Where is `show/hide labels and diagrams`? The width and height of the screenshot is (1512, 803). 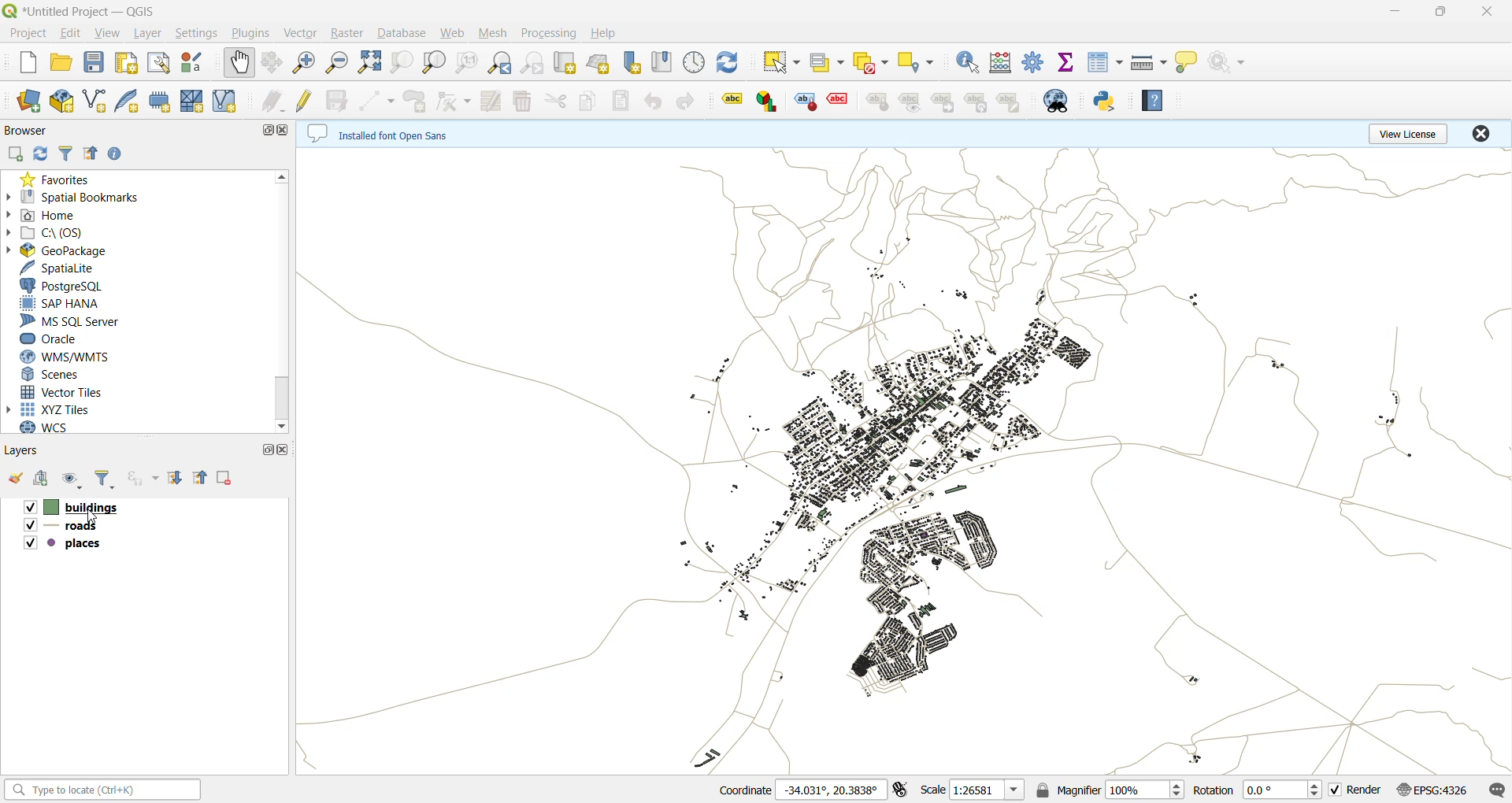 show/hide labels and diagrams is located at coordinates (915, 101).